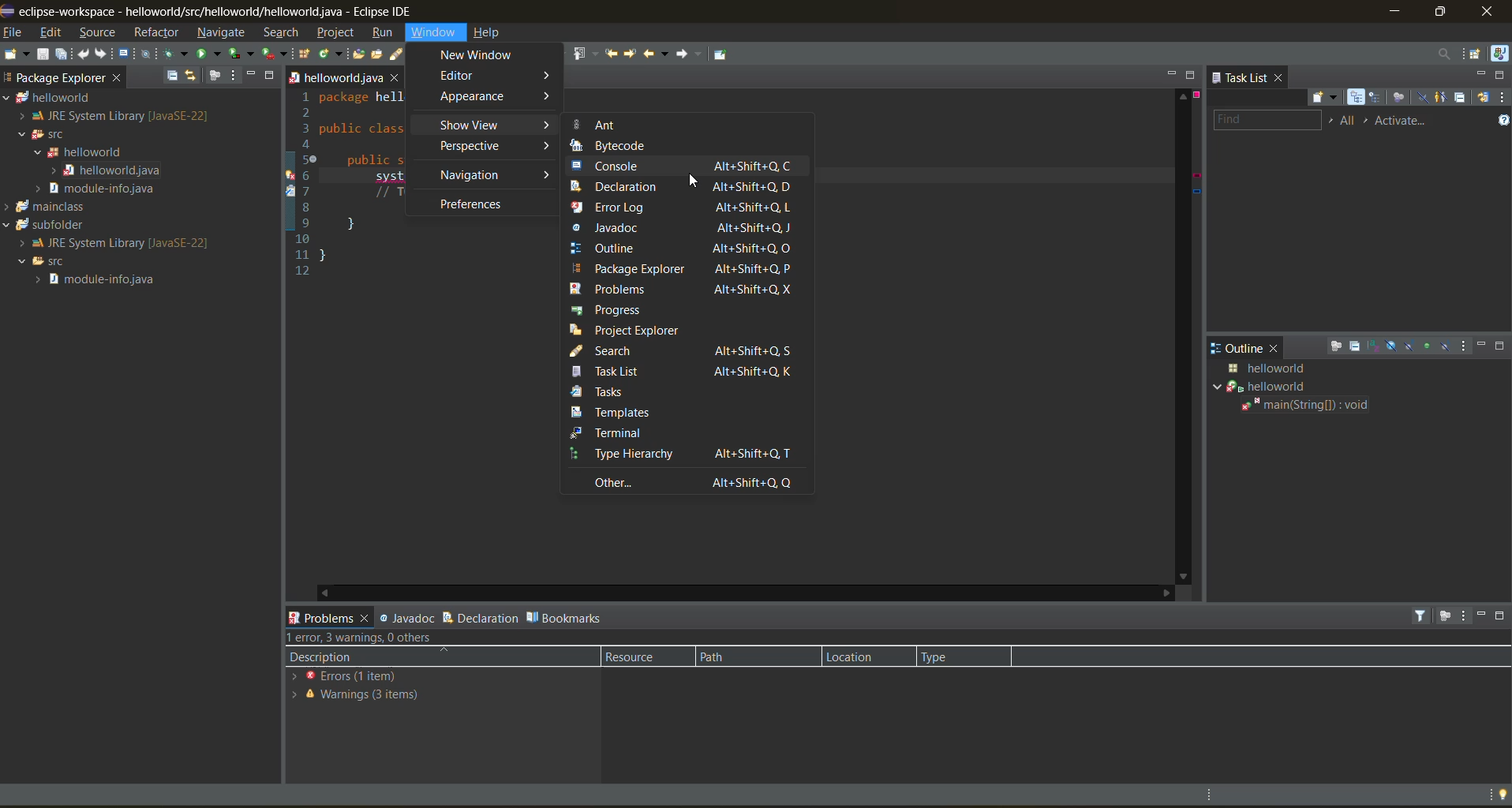 The width and height of the screenshot is (1512, 808). Describe the element at coordinates (119, 117) in the screenshot. I see `JRE System Library [Java SE-22]` at that location.